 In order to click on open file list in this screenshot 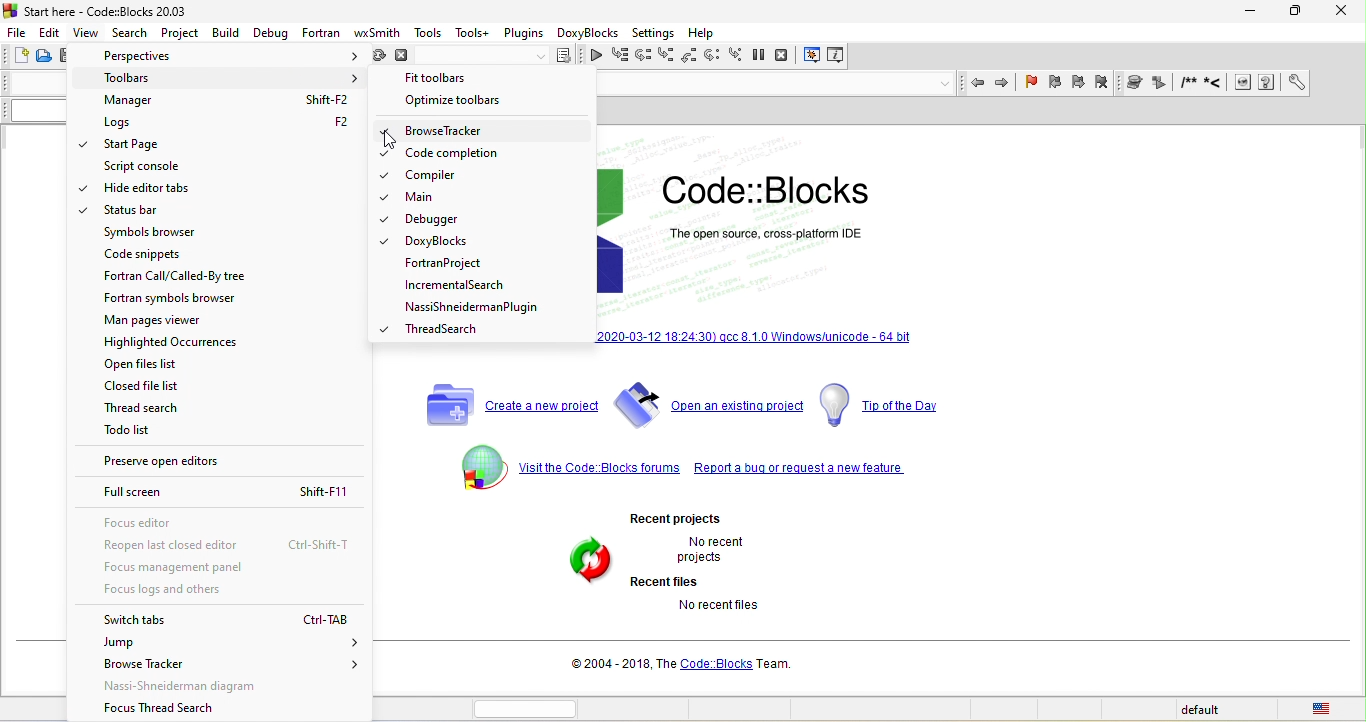, I will do `click(150, 365)`.